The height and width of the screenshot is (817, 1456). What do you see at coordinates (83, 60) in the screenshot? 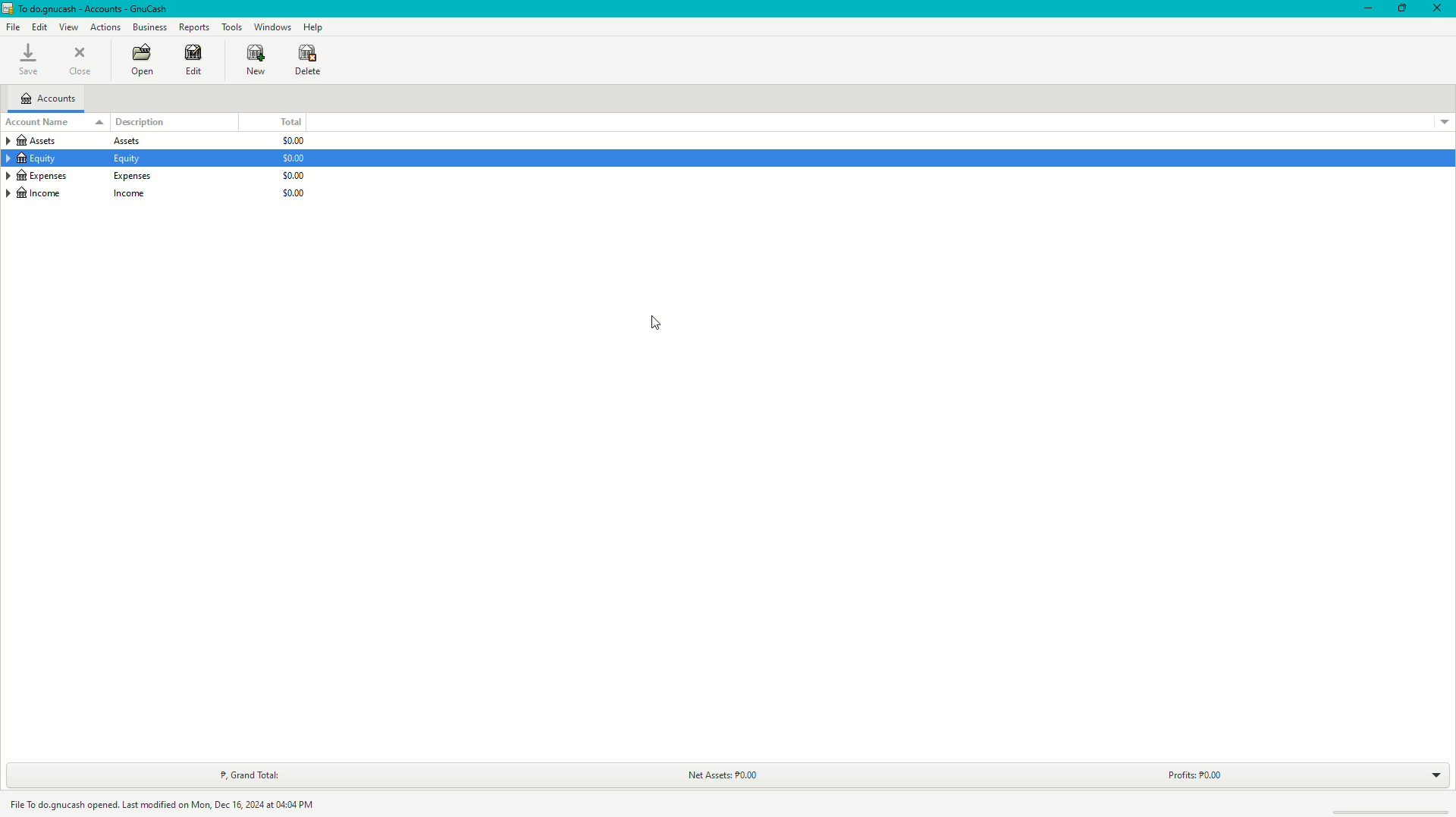
I see `Close` at bounding box center [83, 60].